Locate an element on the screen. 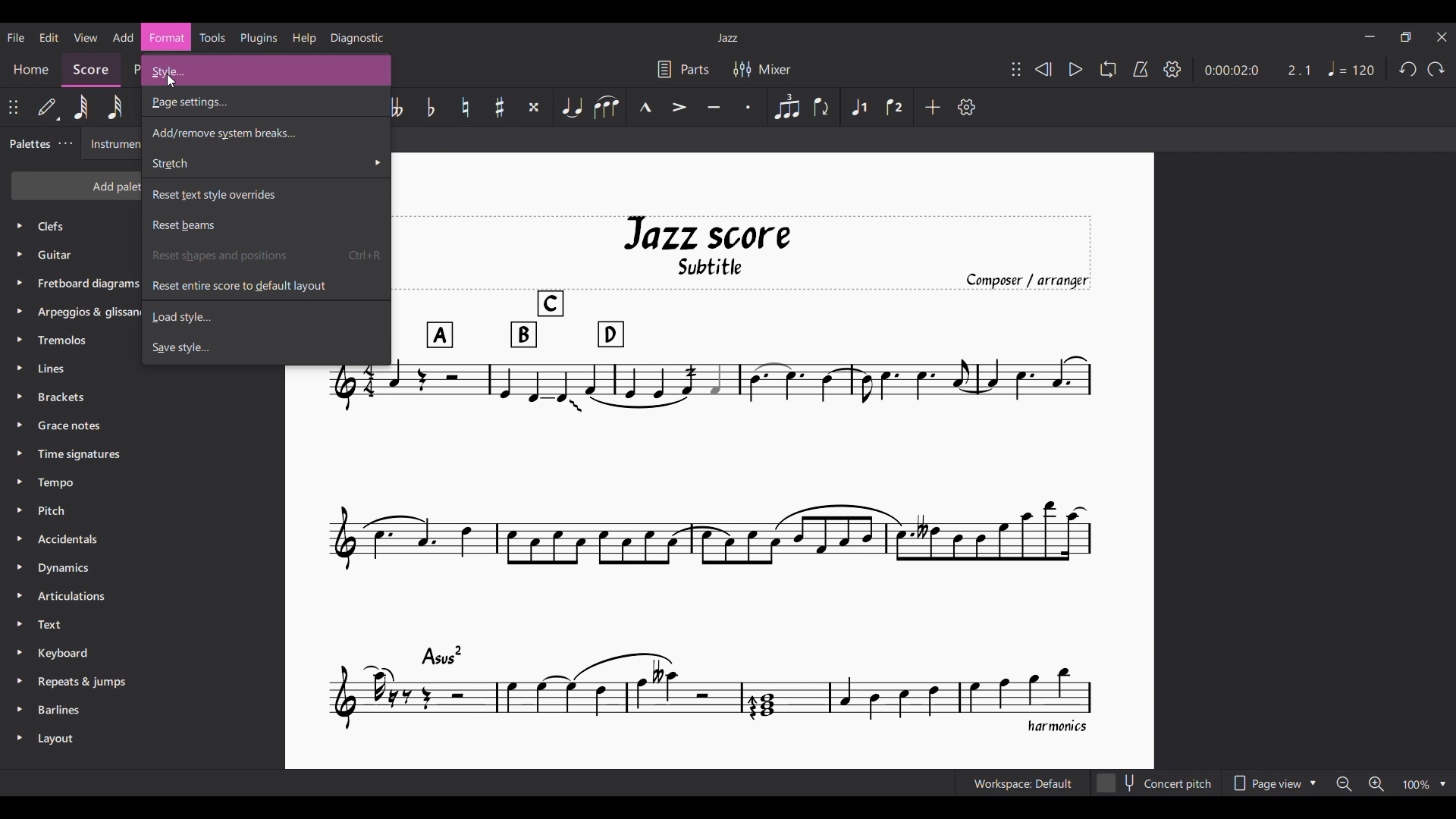  Expand is located at coordinates (19, 482).